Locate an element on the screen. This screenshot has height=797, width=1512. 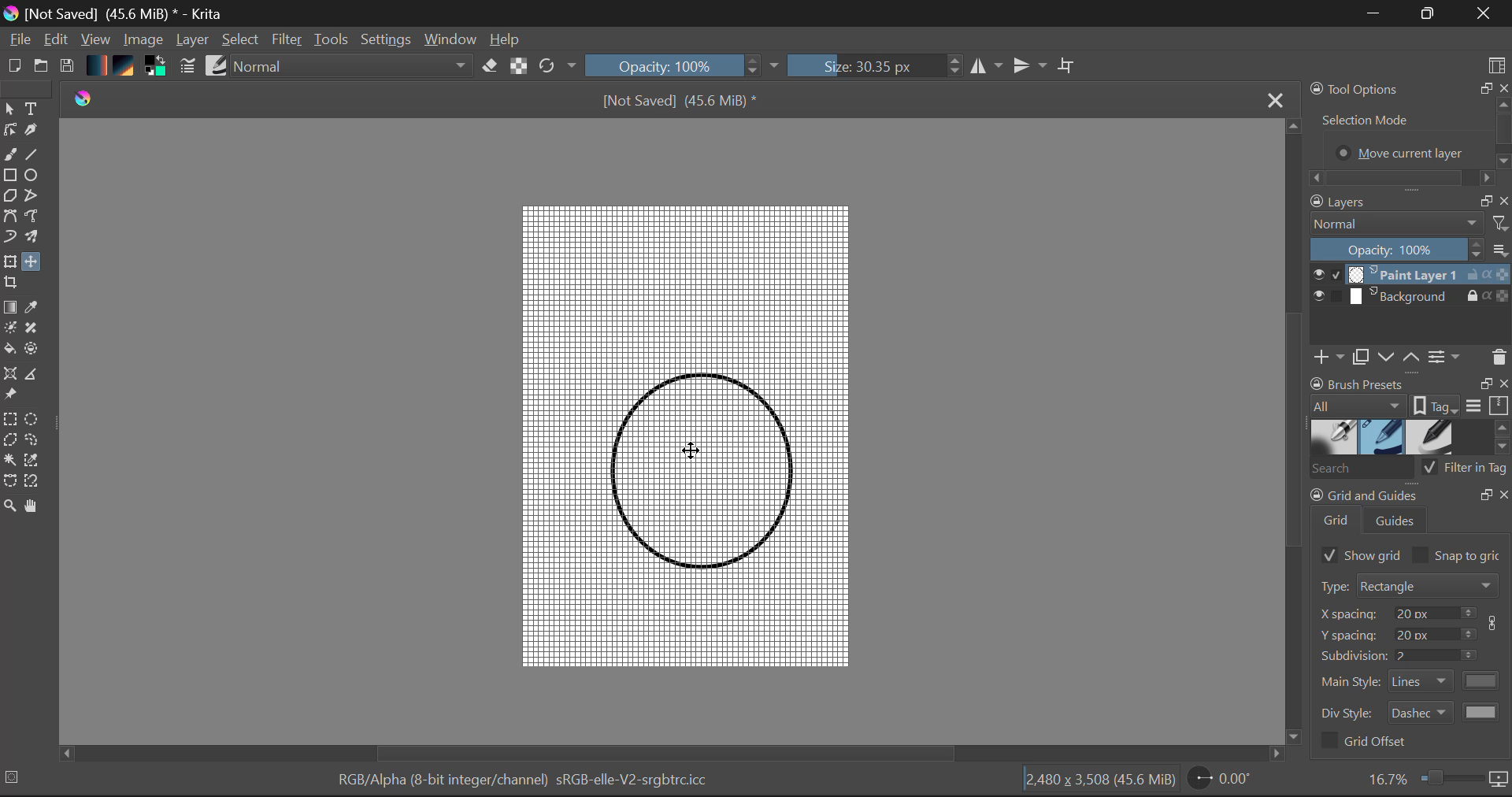
Reference Images is located at coordinates (10, 395).